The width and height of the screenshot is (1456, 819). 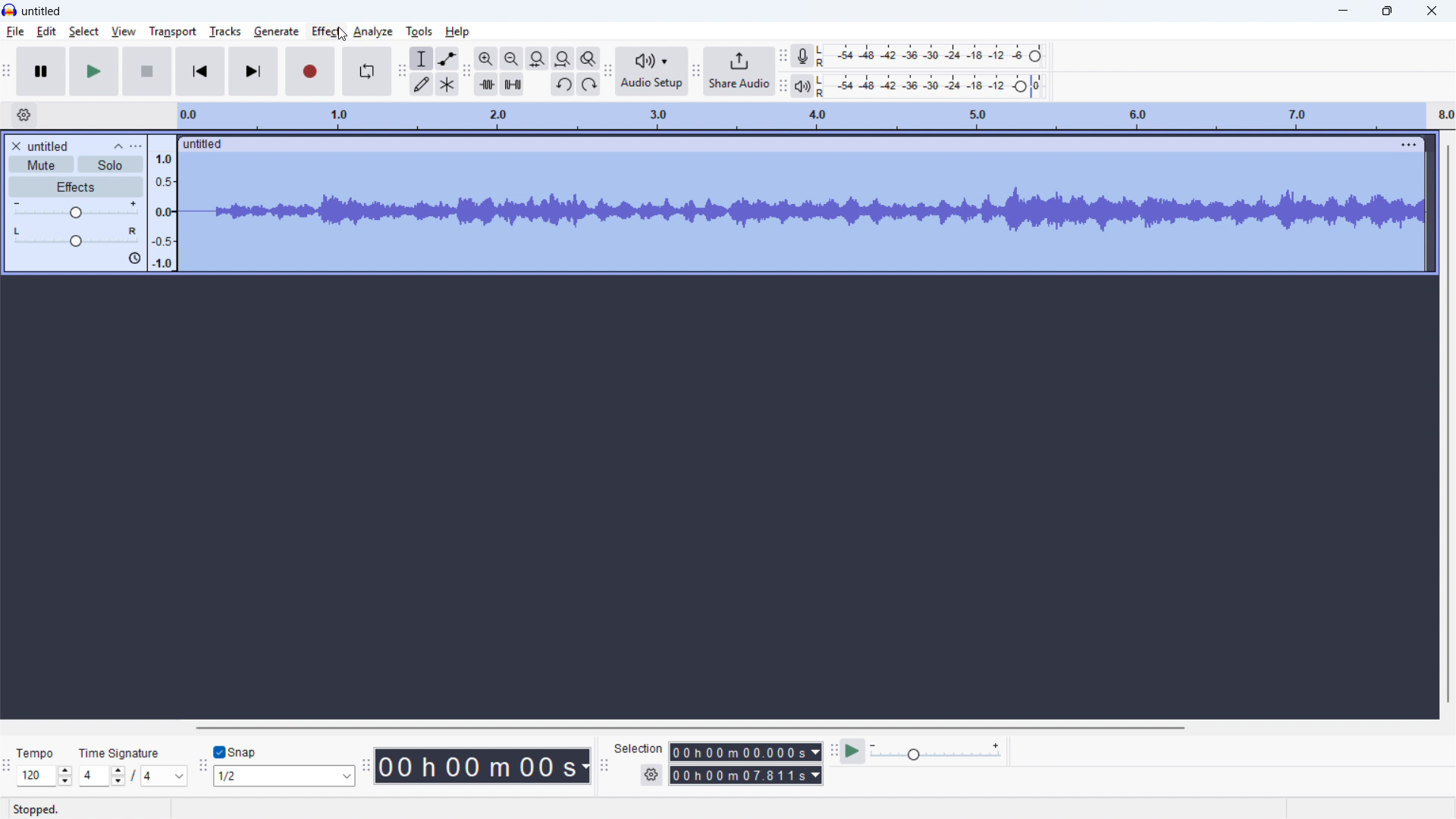 What do you see at coordinates (148, 71) in the screenshot?
I see `stop` at bounding box center [148, 71].